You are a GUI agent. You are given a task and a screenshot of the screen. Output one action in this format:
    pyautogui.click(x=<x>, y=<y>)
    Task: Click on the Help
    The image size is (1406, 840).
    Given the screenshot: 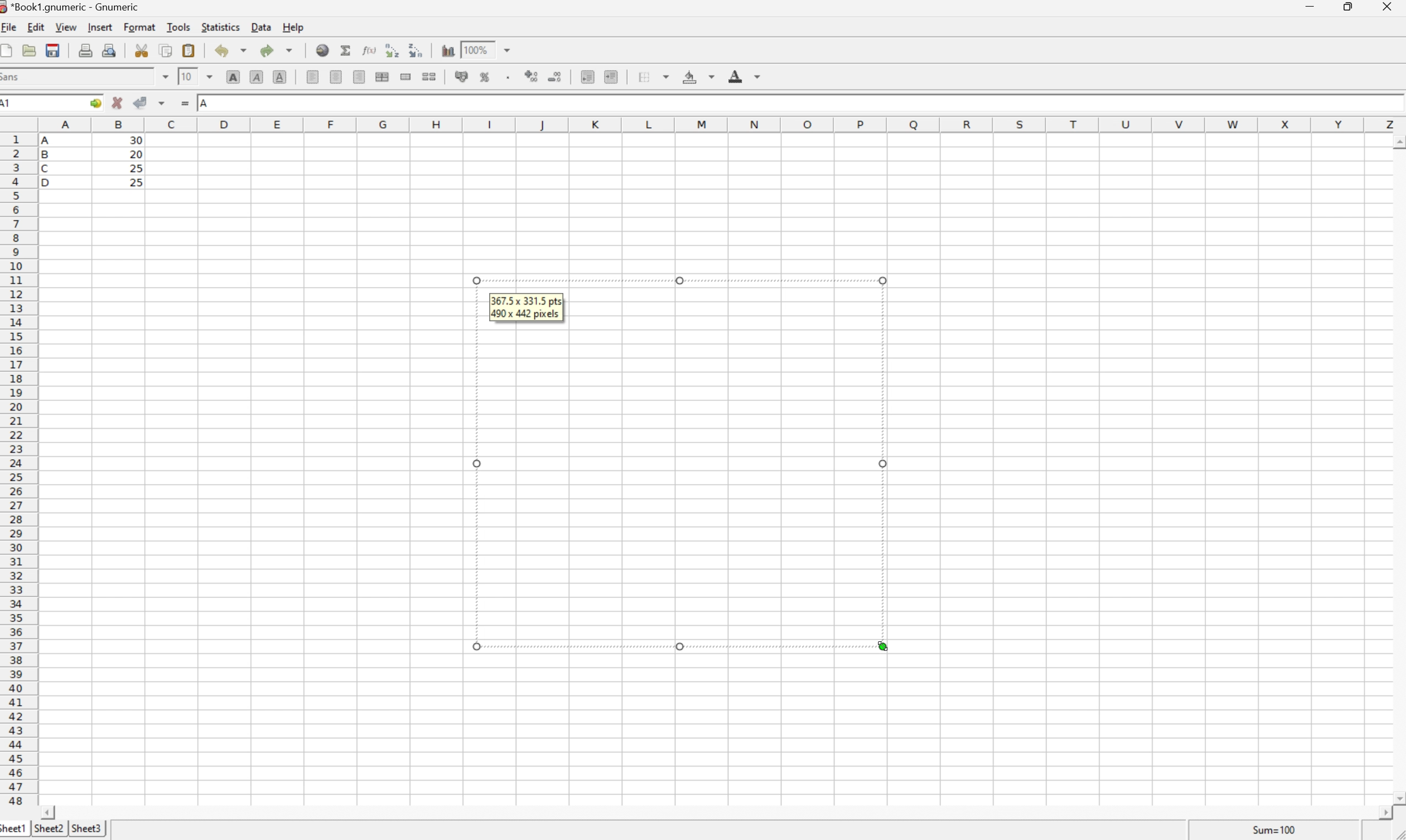 What is the action you would take?
    pyautogui.click(x=294, y=27)
    